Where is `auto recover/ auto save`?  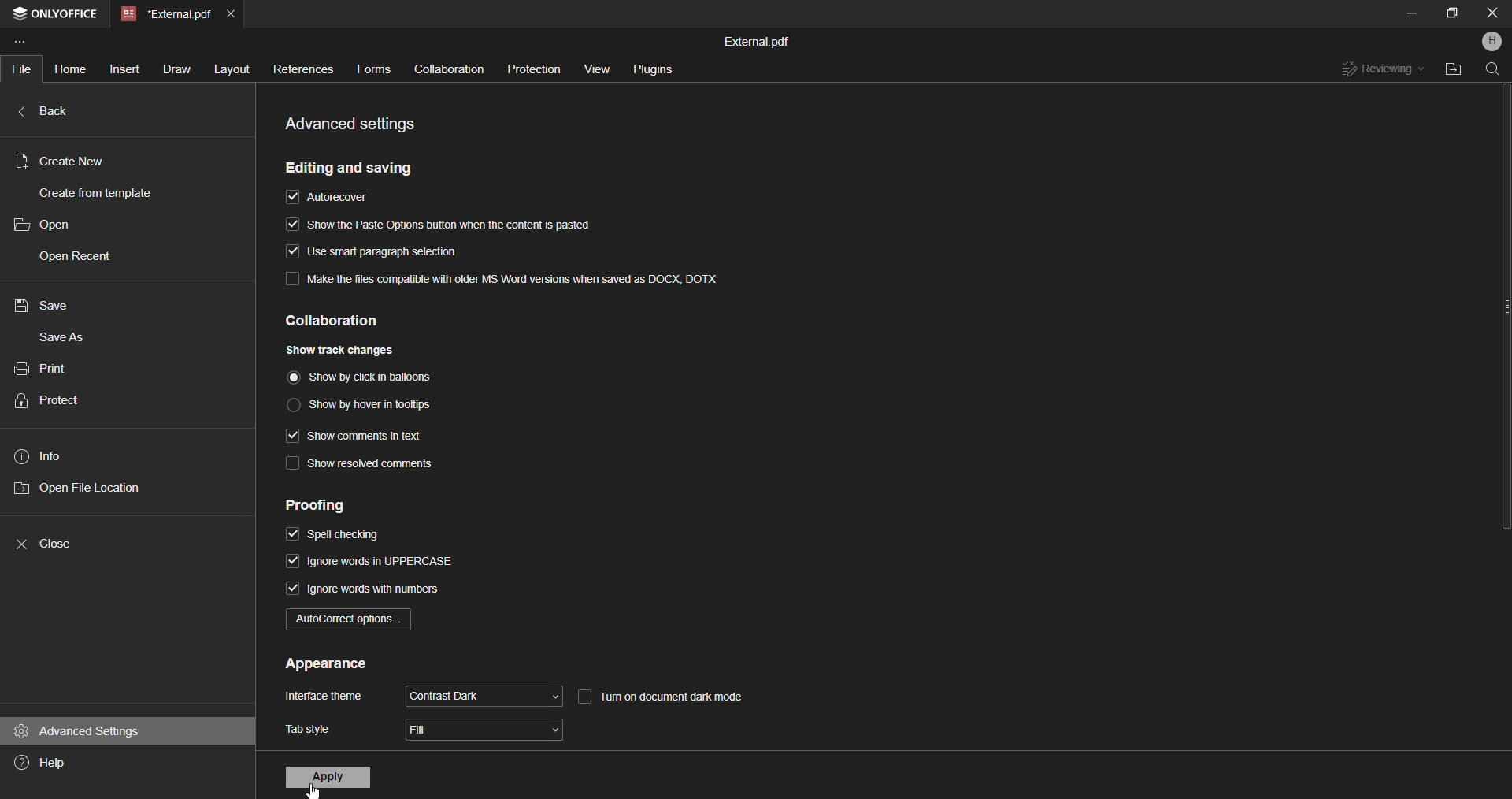 auto recover/ auto save is located at coordinates (332, 199).